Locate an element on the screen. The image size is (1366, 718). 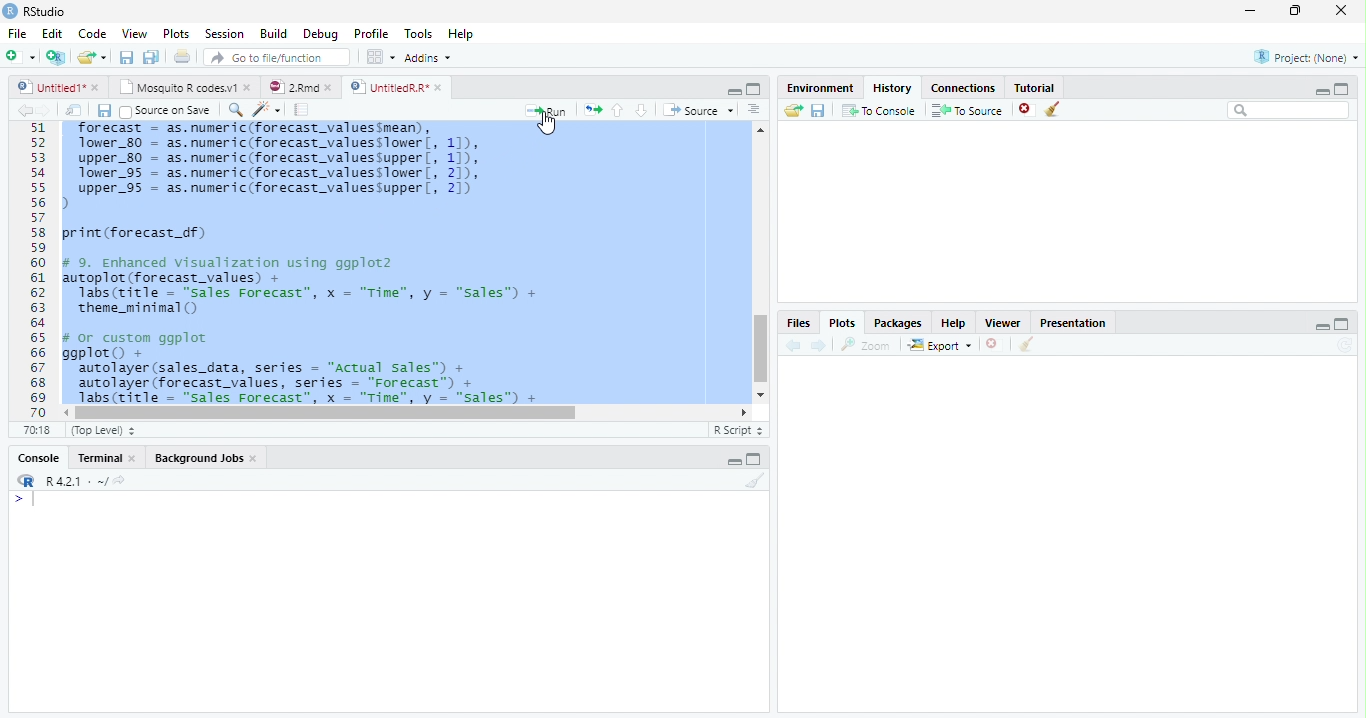
Save all open files is located at coordinates (152, 57).